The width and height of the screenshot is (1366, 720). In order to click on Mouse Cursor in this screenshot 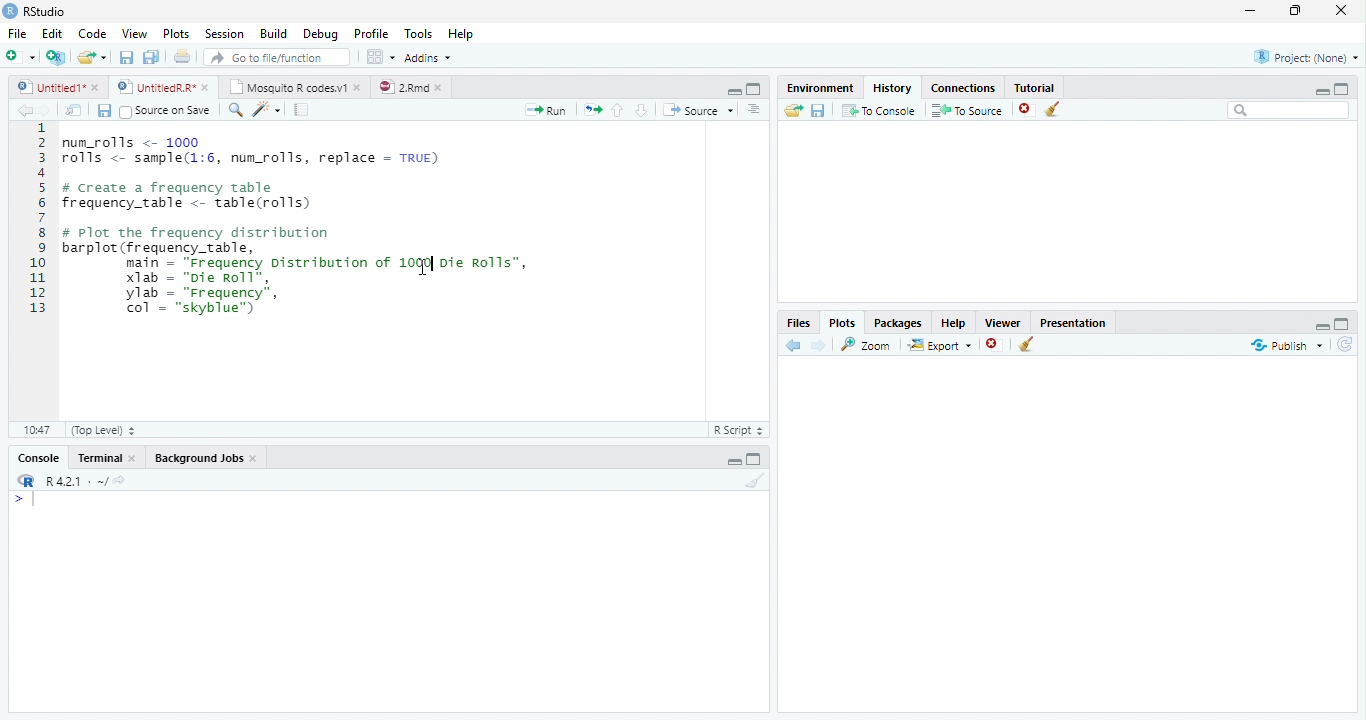, I will do `click(421, 269)`.